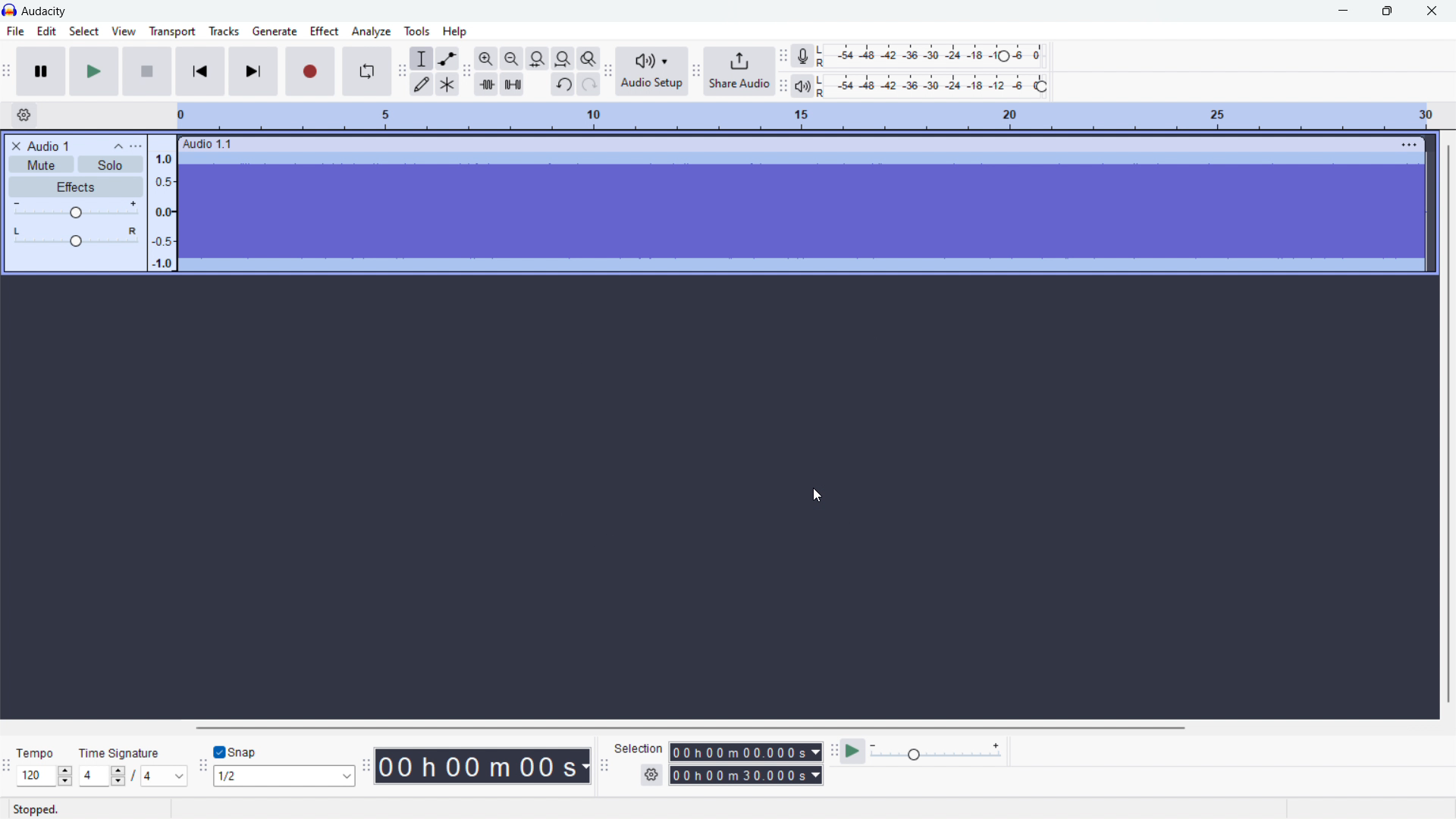 This screenshot has height=819, width=1456. Describe the element at coordinates (783, 56) in the screenshot. I see `recording meter toolbar` at that location.